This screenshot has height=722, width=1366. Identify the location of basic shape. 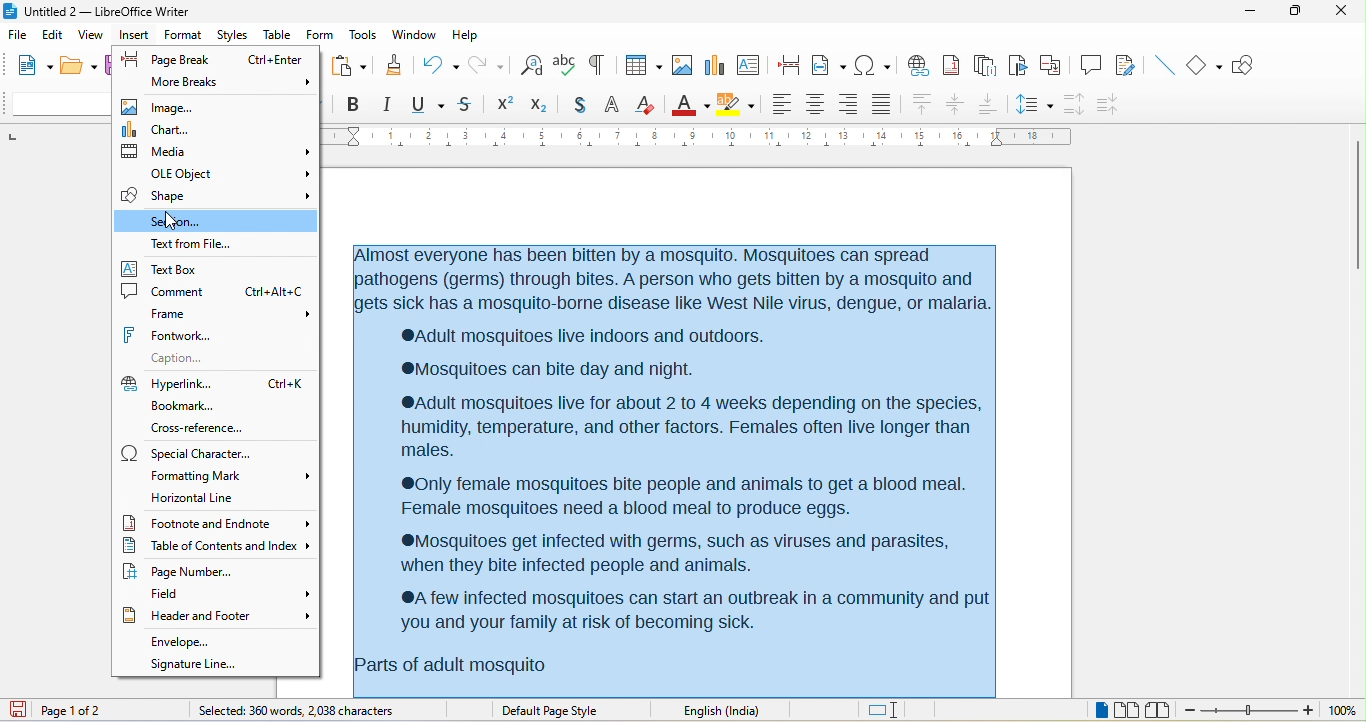
(1203, 64).